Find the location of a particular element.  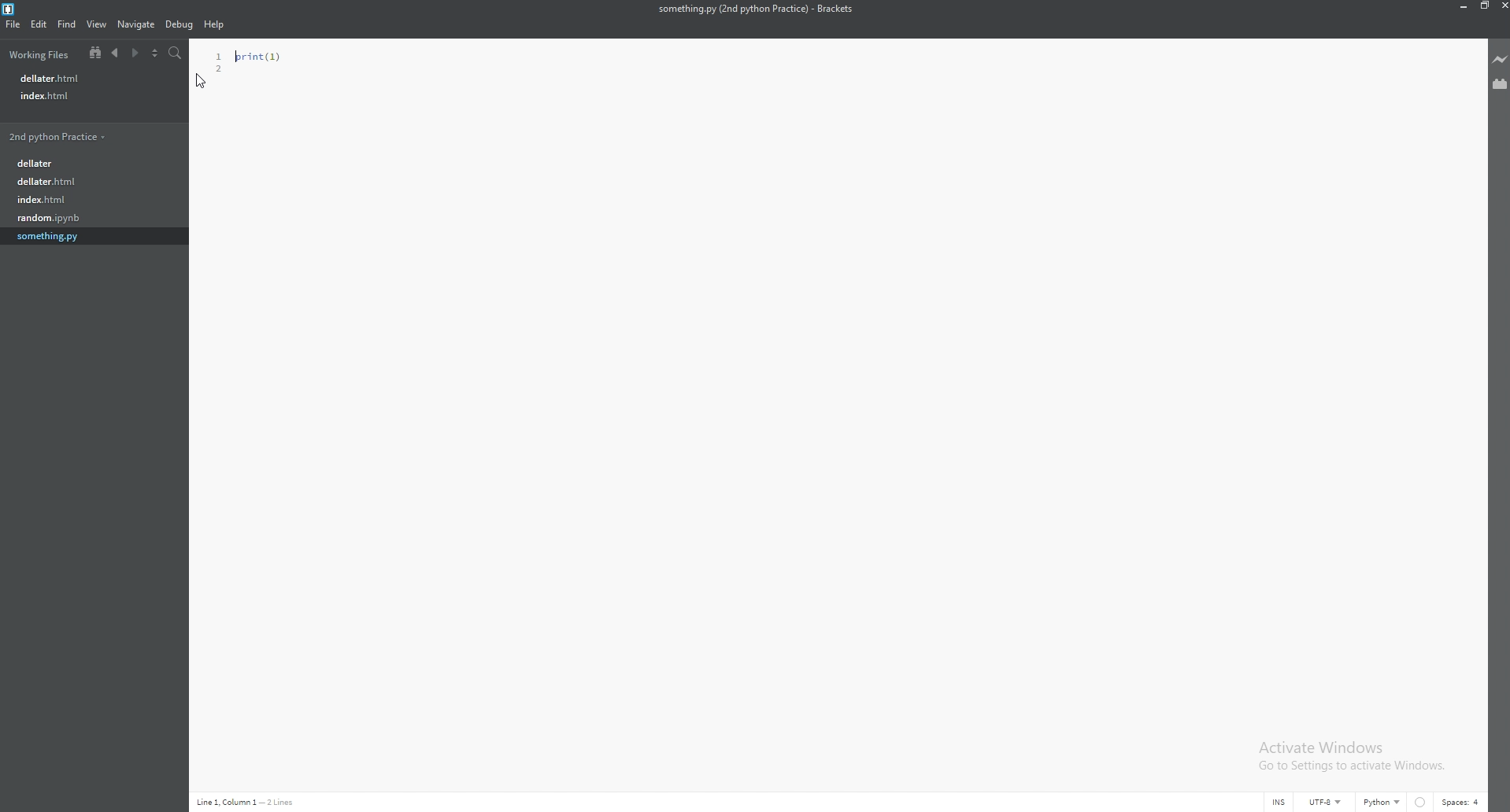

resize is located at coordinates (1481, 6).